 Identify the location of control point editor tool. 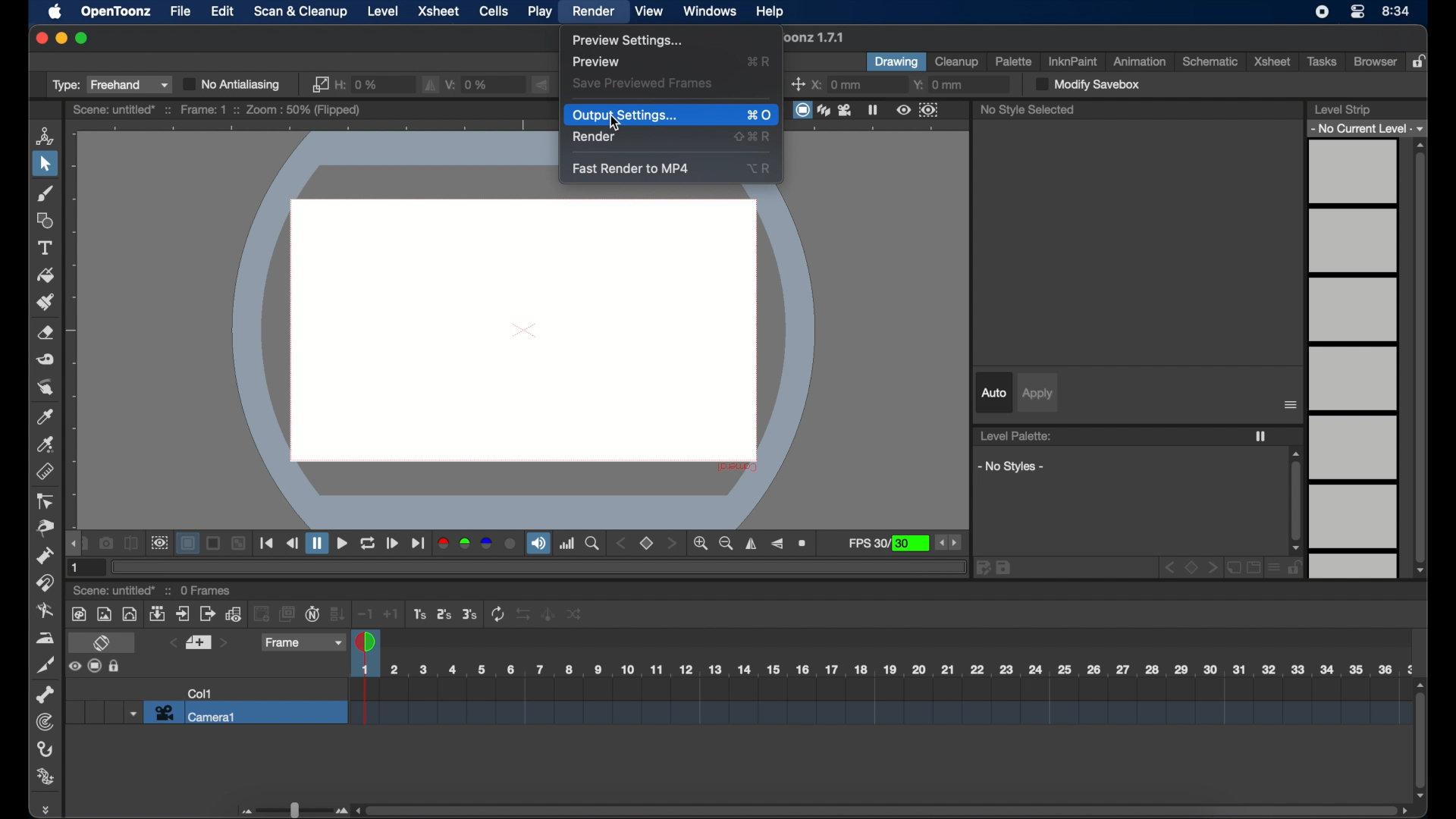
(46, 502).